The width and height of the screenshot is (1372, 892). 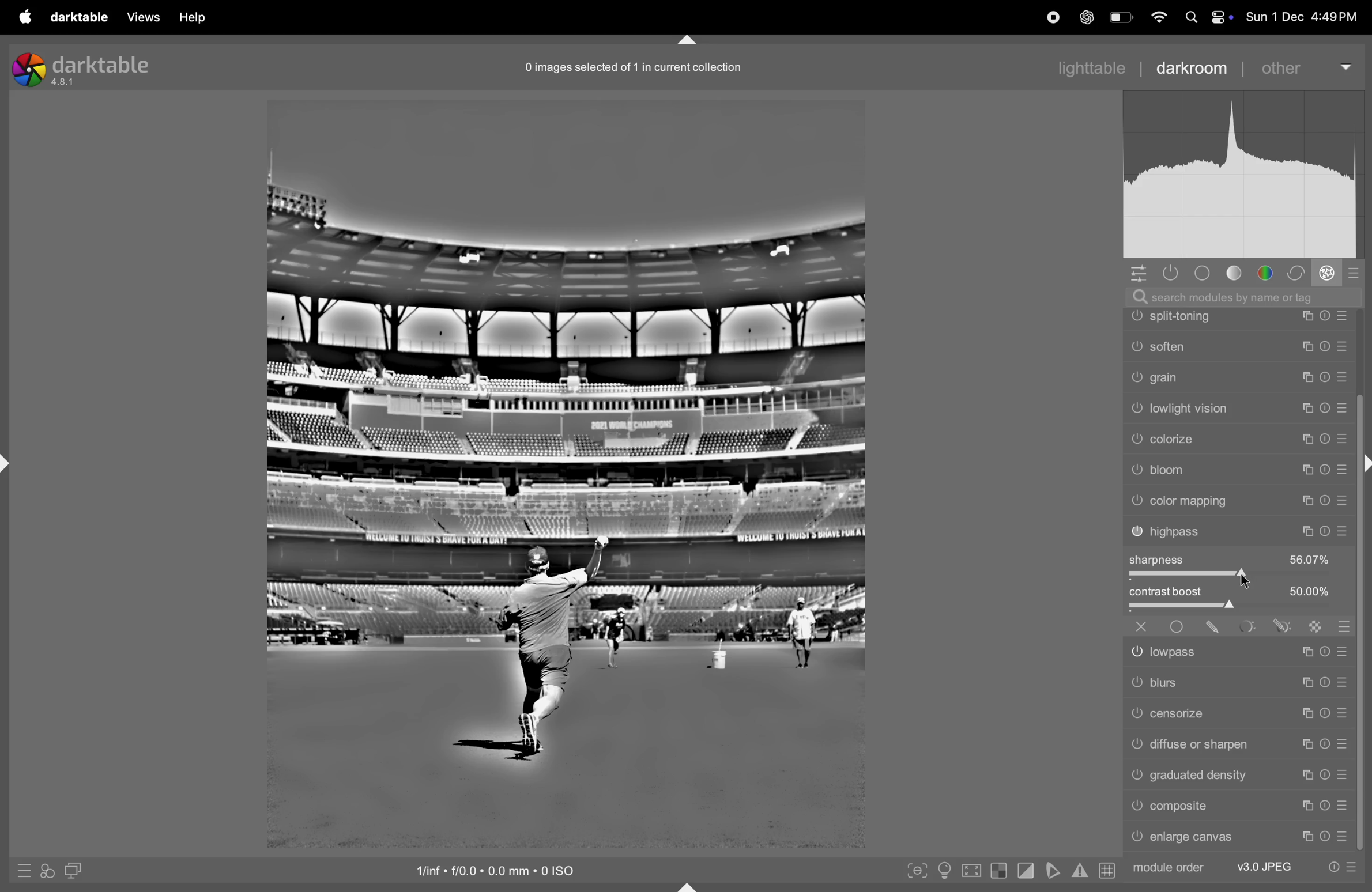 What do you see at coordinates (1238, 376) in the screenshot?
I see `vignetting` at bounding box center [1238, 376].